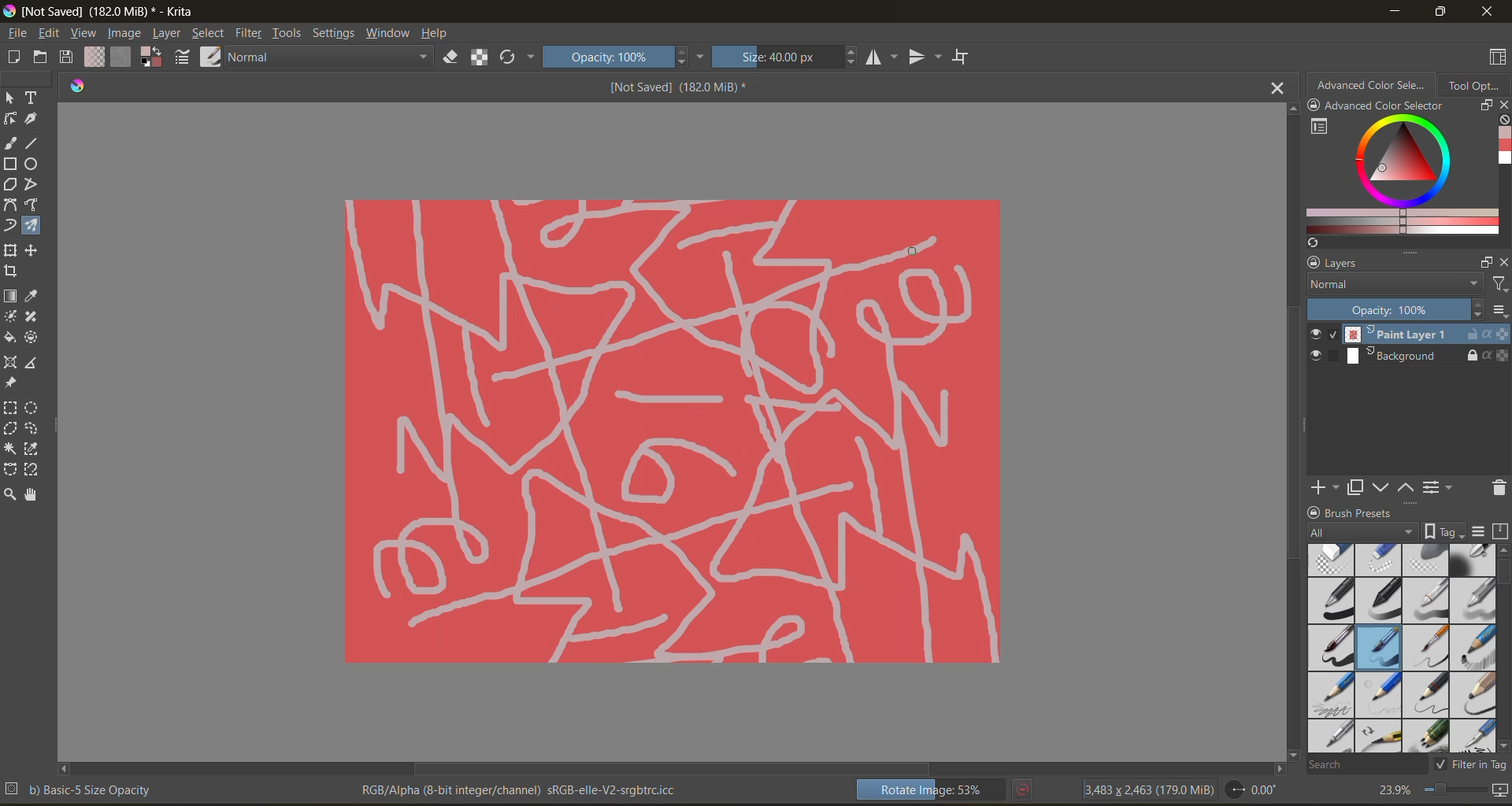 Image resolution: width=1512 pixels, height=806 pixels. Describe the element at coordinates (20, 34) in the screenshot. I see `file` at that location.